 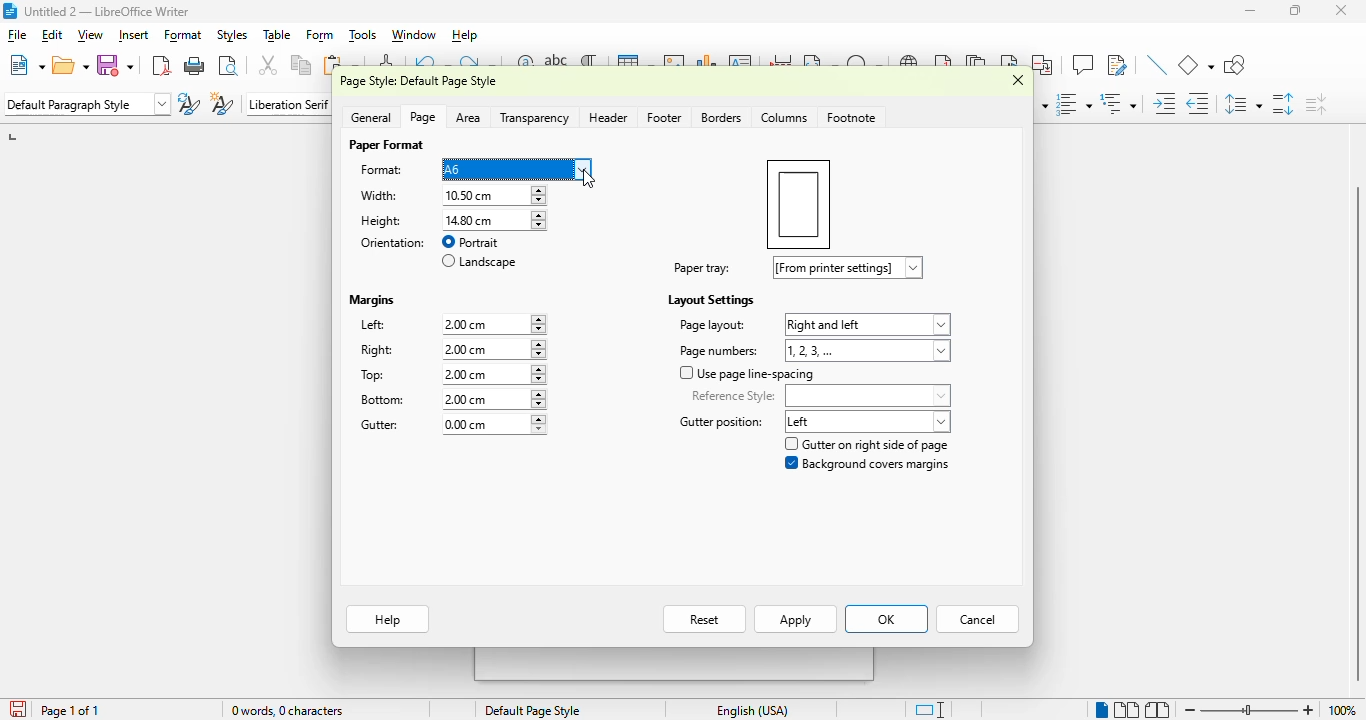 What do you see at coordinates (162, 66) in the screenshot?
I see `export directly as PDF` at bounding box center [162, 66].